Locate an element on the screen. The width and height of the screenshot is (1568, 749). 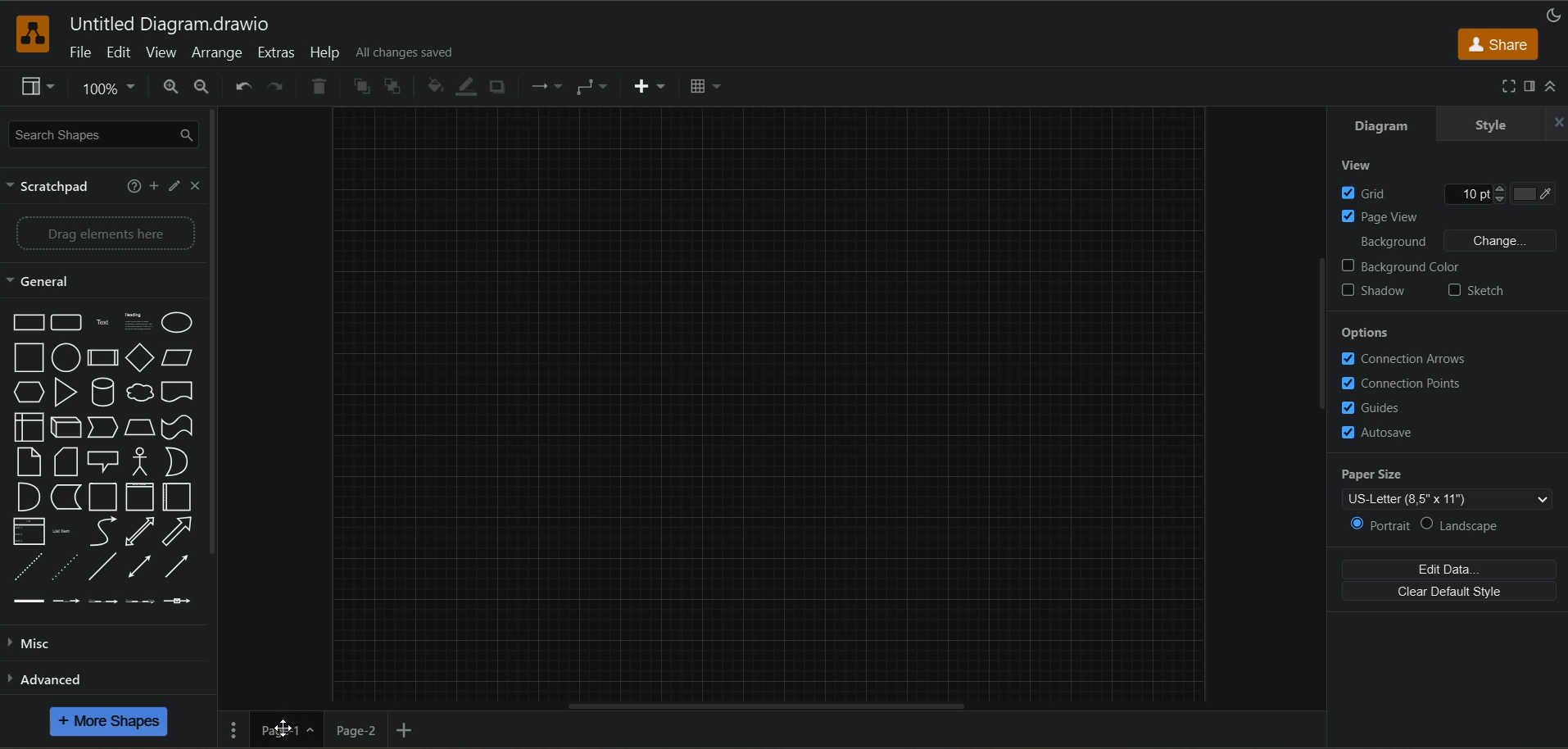
waypoints is located at coordinates (593, 87).